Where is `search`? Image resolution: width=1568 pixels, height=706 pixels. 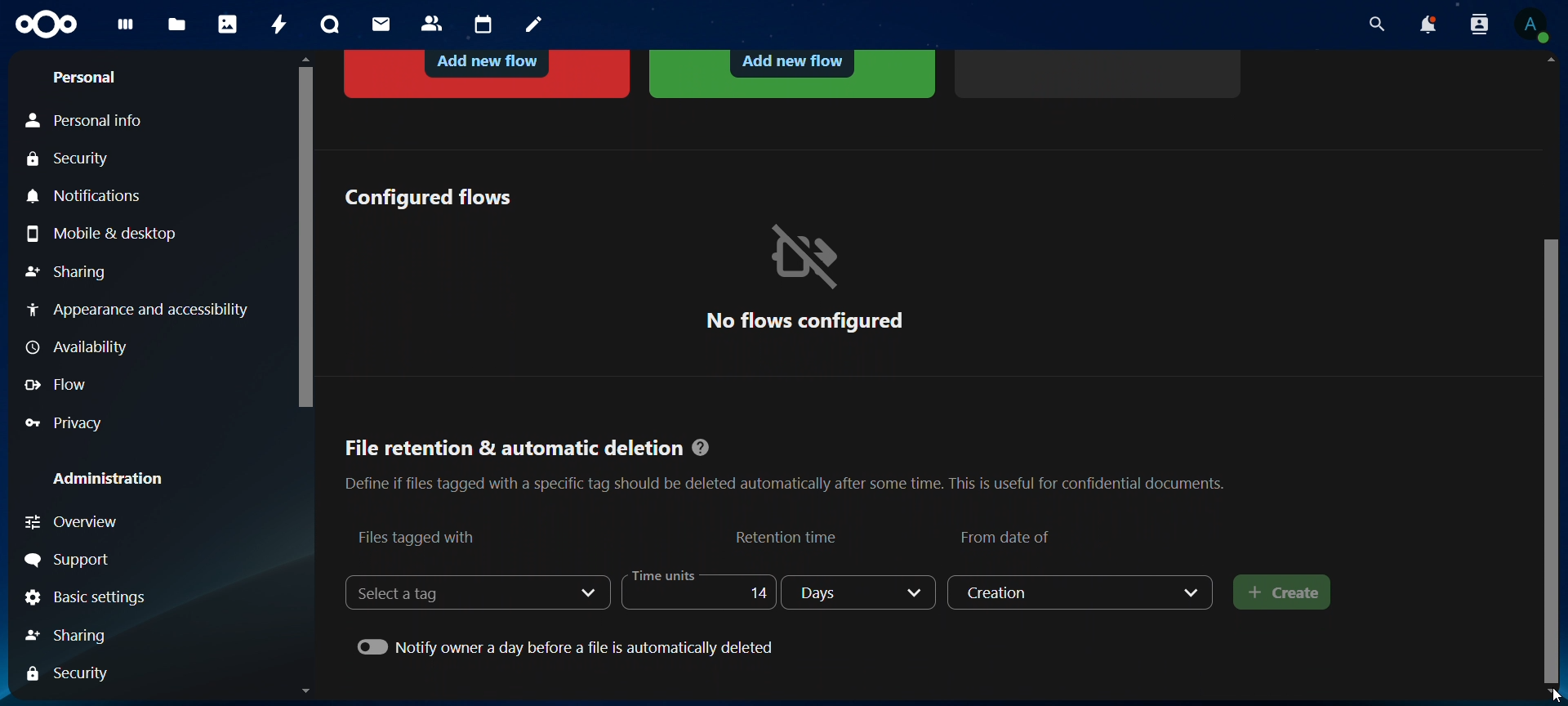 search is located at coordinates (1373, 25).